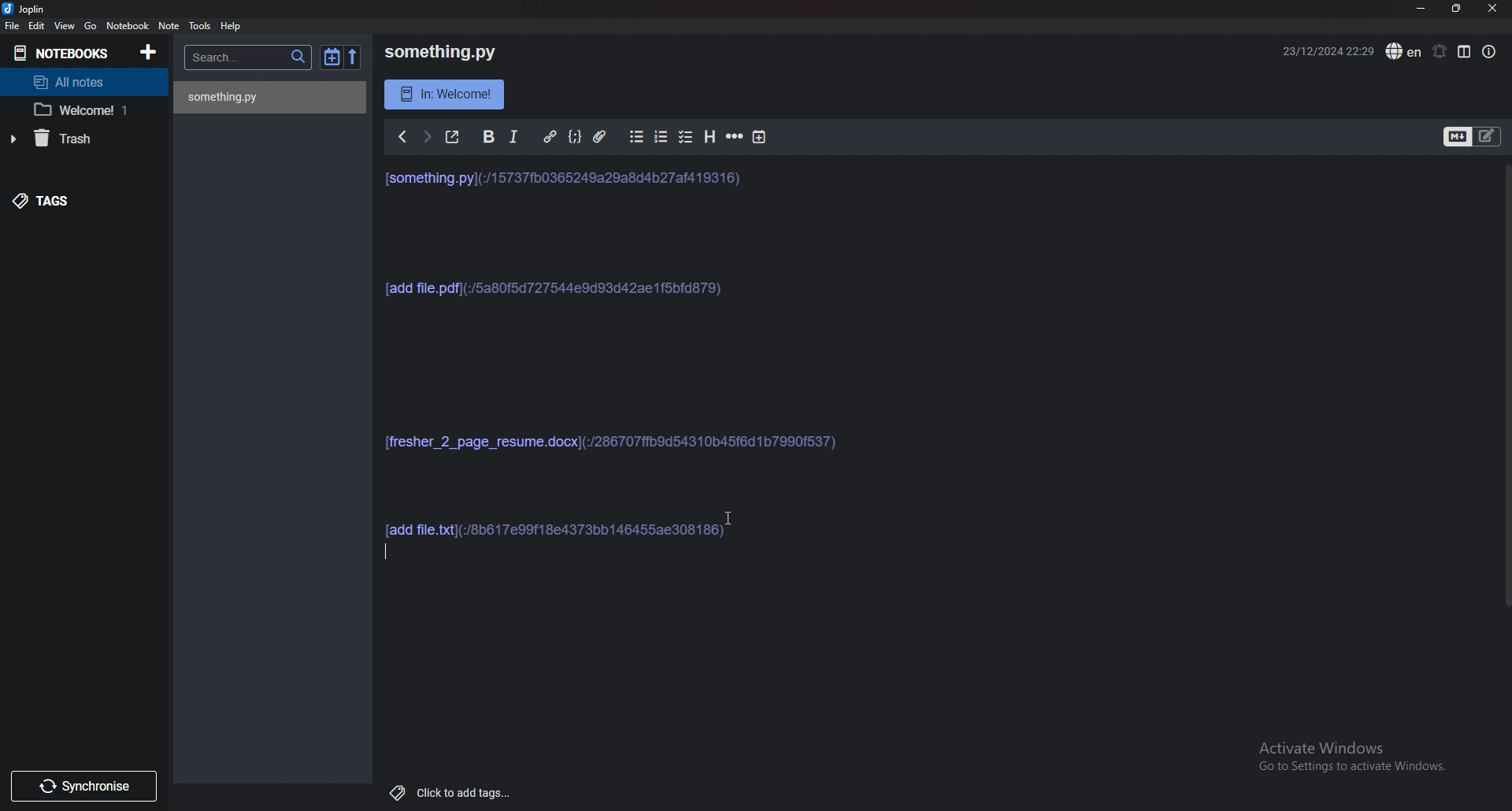 This screenshot has width=1512, height=811. Describe the element at coordinates (243, 98) in the screenshot. I see `“| something py` at that location.